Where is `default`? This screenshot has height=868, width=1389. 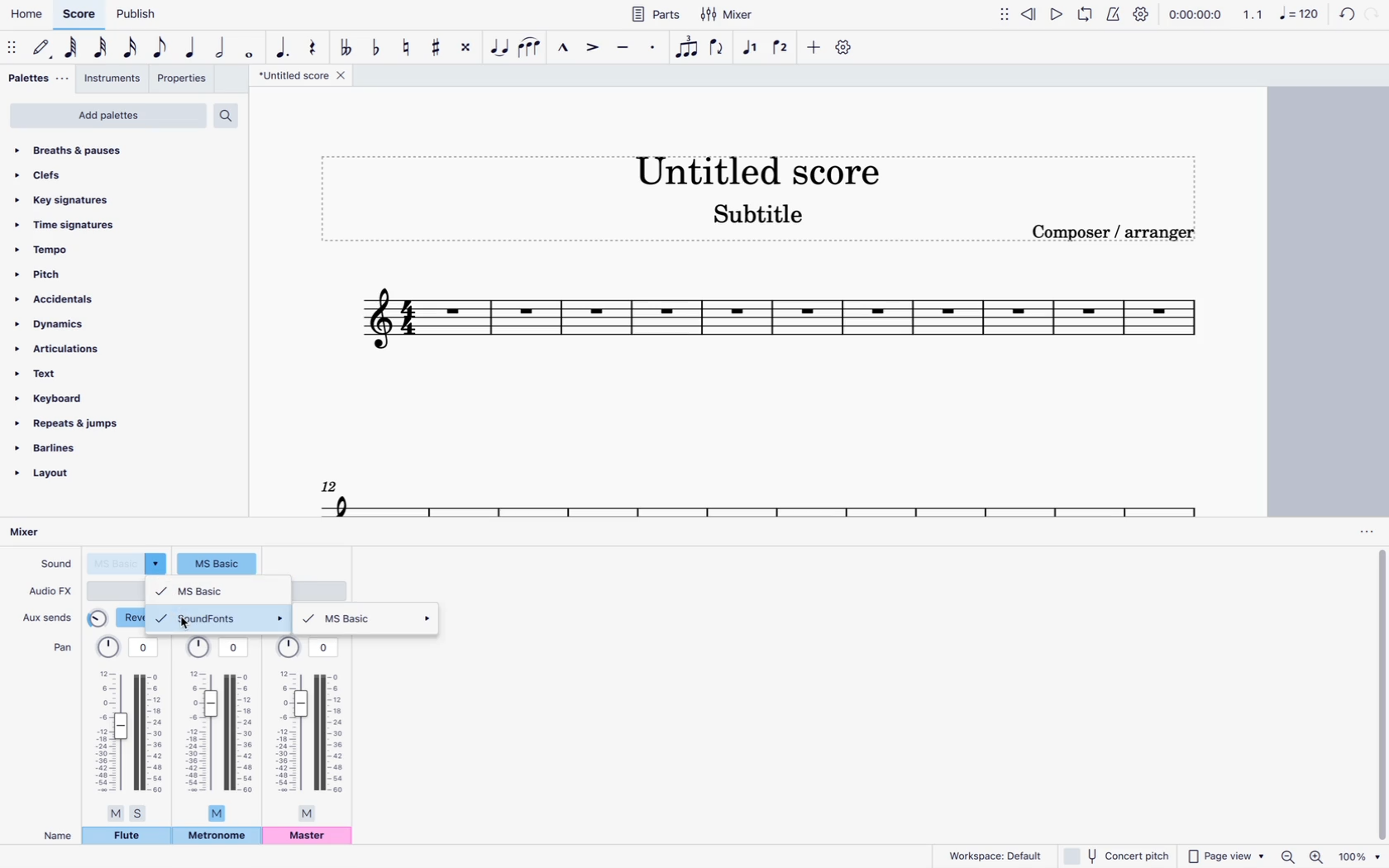 default is located at coordinates (43, 48).